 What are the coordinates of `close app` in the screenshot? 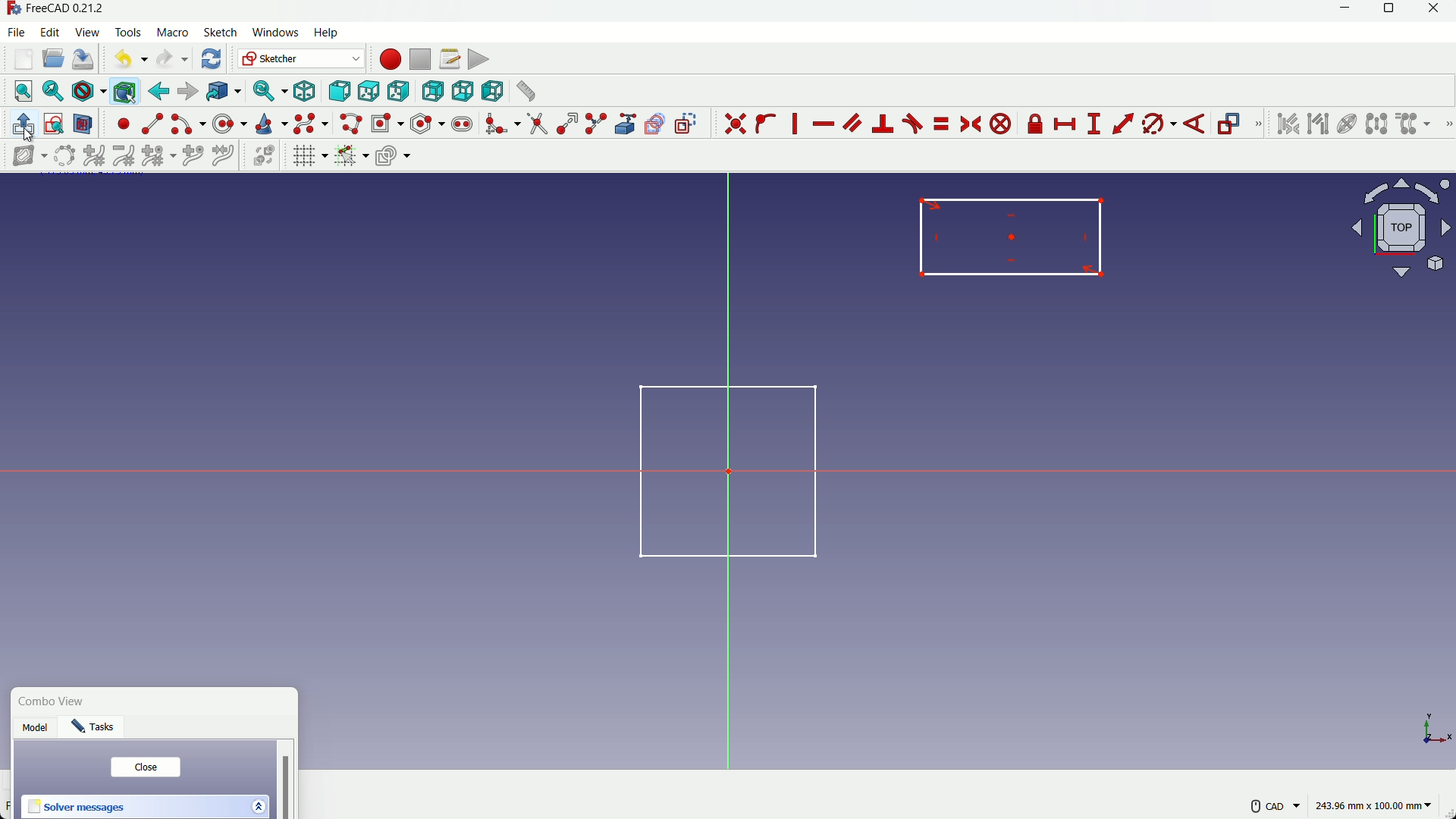 It's located at (1439, 11).